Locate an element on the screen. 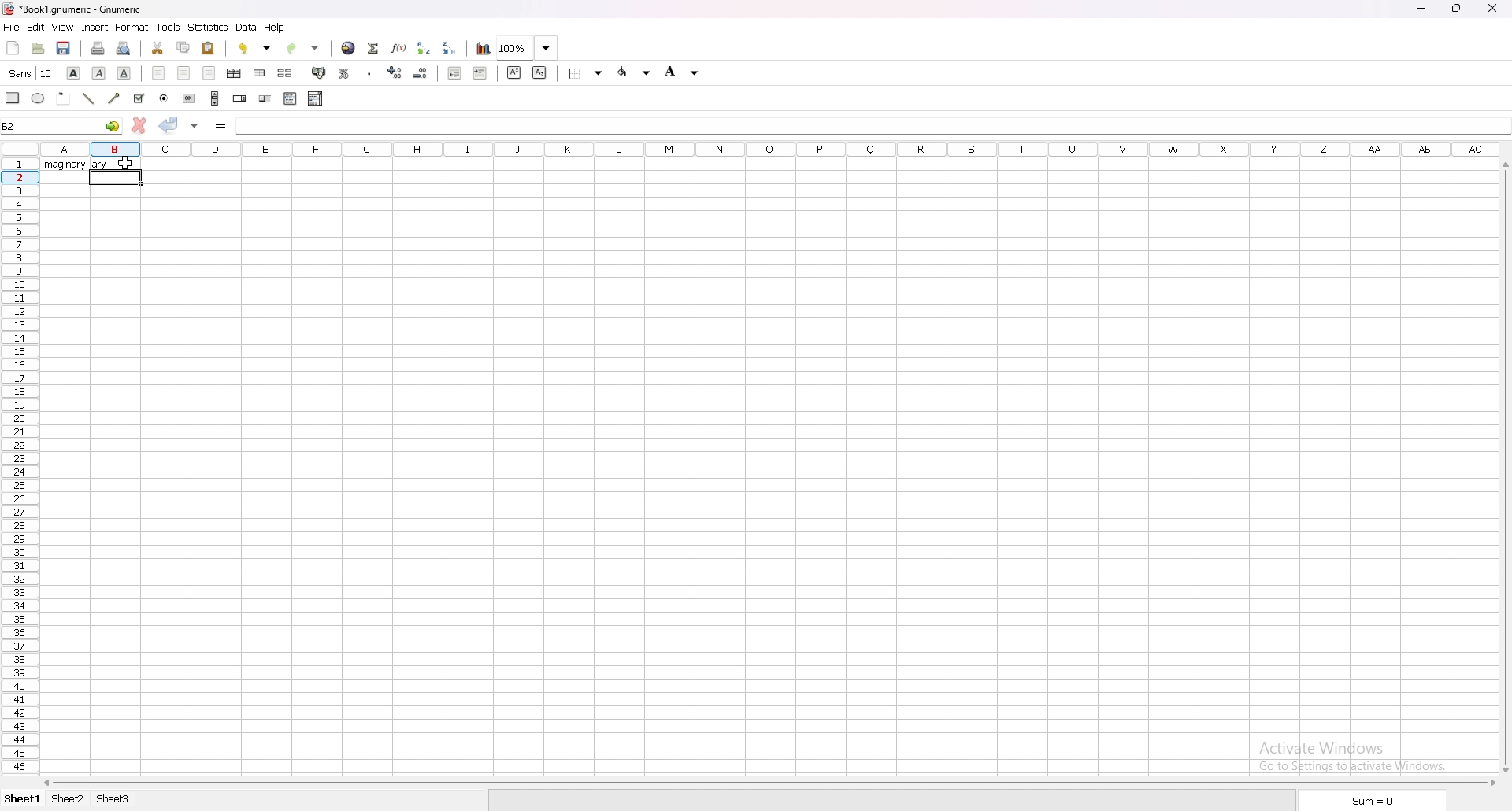 This screenshot has width=1512, height=811. cursor is located at coordinates (130, 162).